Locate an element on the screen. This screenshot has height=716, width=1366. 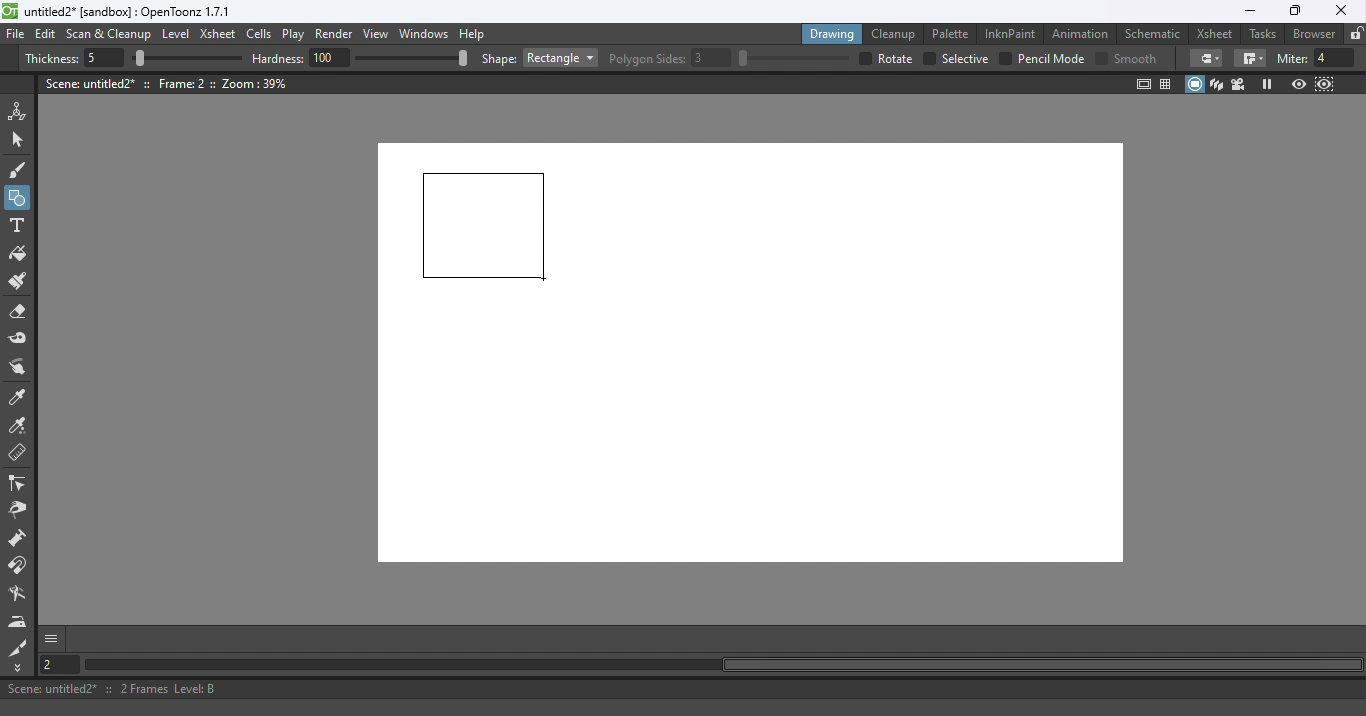
Schematic is located at coordinates (1153, 34).